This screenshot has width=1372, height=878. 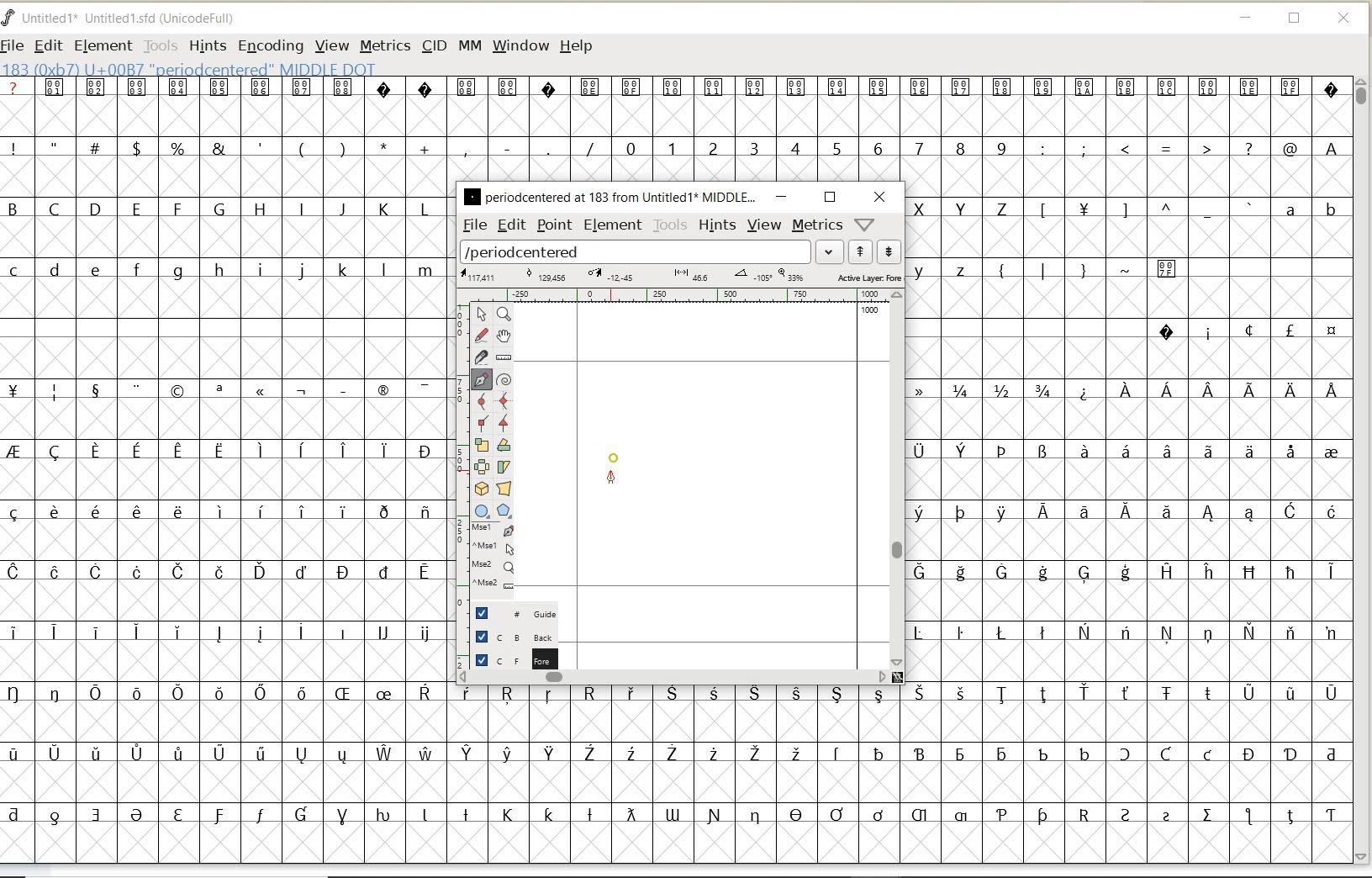 What do you see at coordinates (1131, 526) in the screenshot?
I see `special characters` at bounding box center [1131, 526].